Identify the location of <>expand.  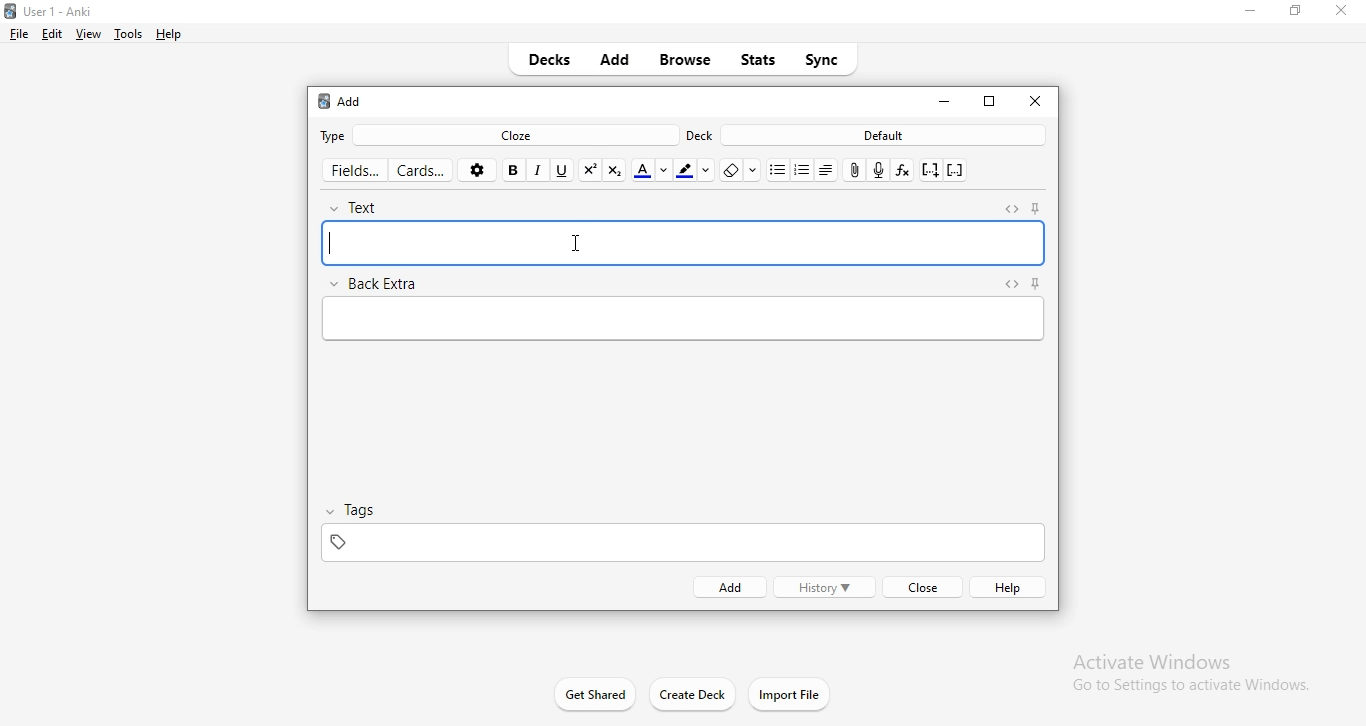
(1013, 208).